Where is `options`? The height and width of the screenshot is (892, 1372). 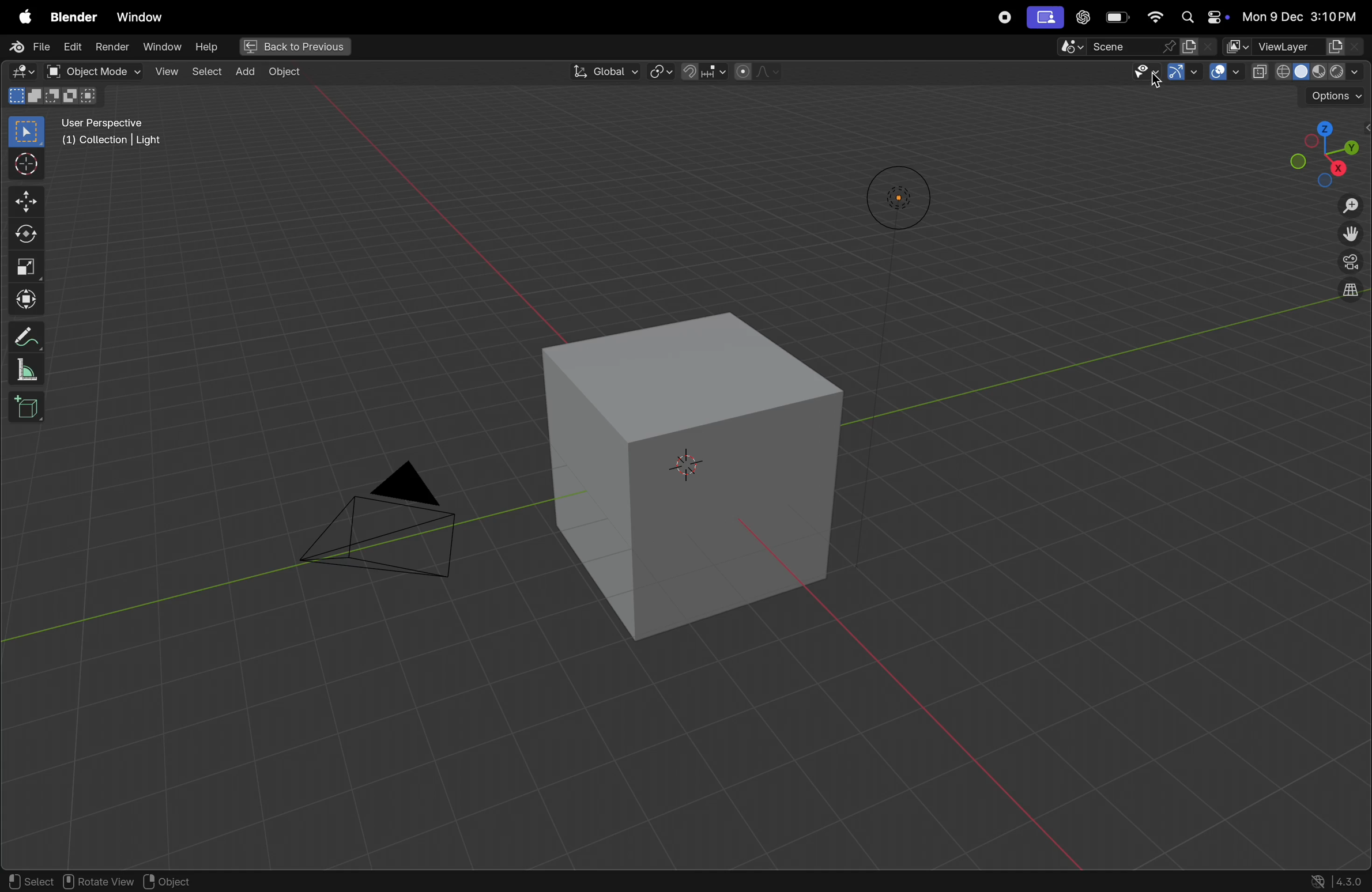 options is located at coordinates (1334, 95).